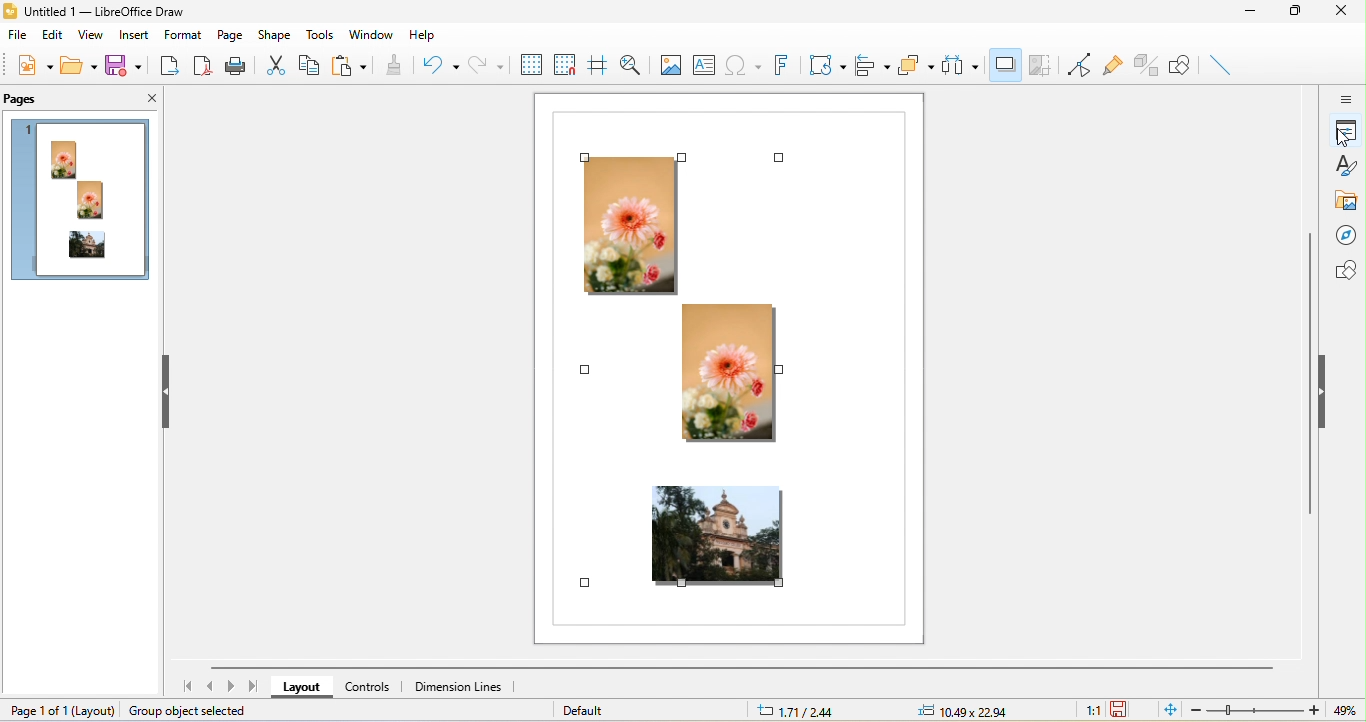 The image size is (1366, 722). Describe the element at coordinates (185, 688) in the screenshot. I see `first page` at that location.